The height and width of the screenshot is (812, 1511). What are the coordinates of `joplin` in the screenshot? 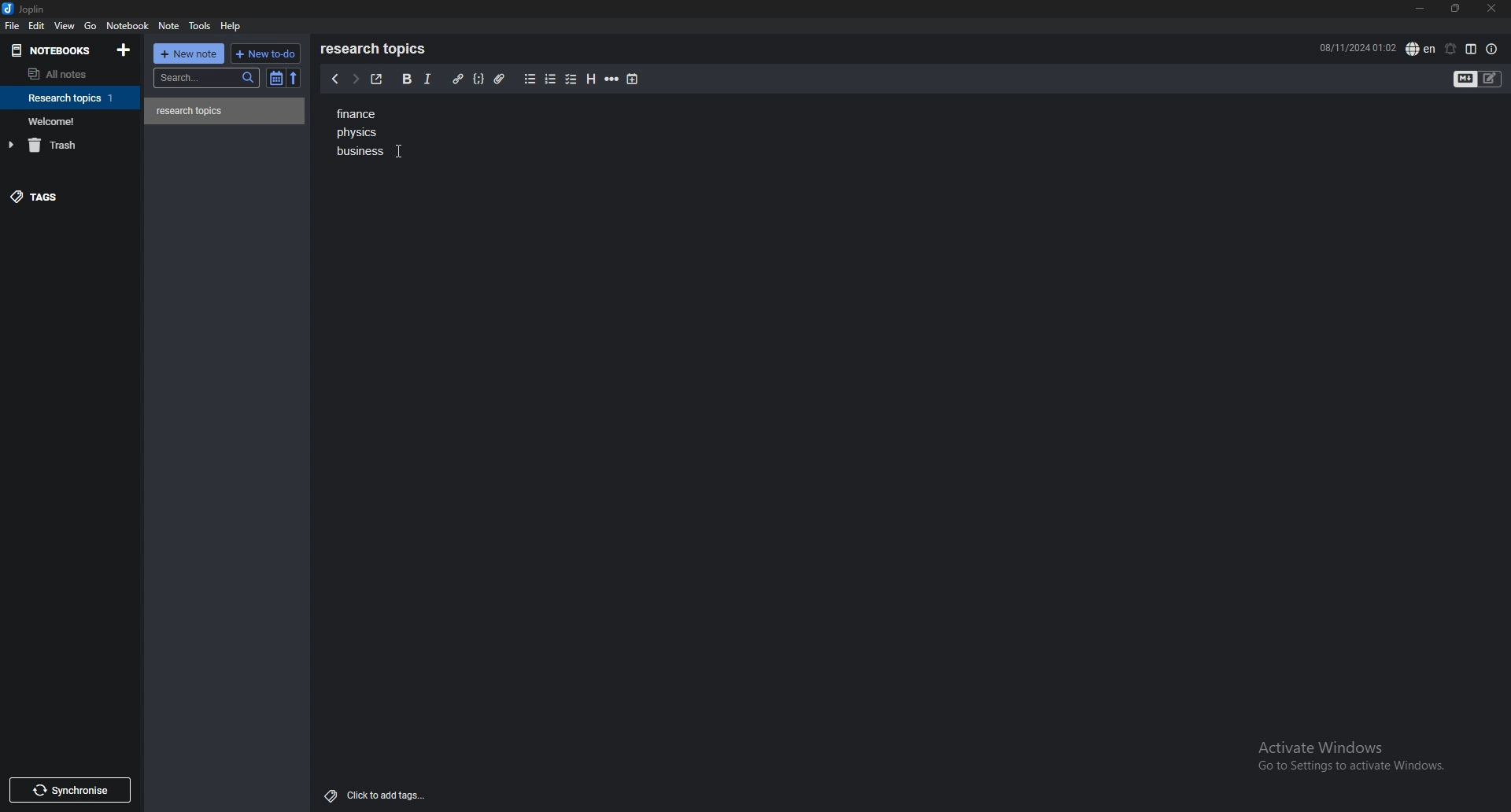 It's located at (25, 10).